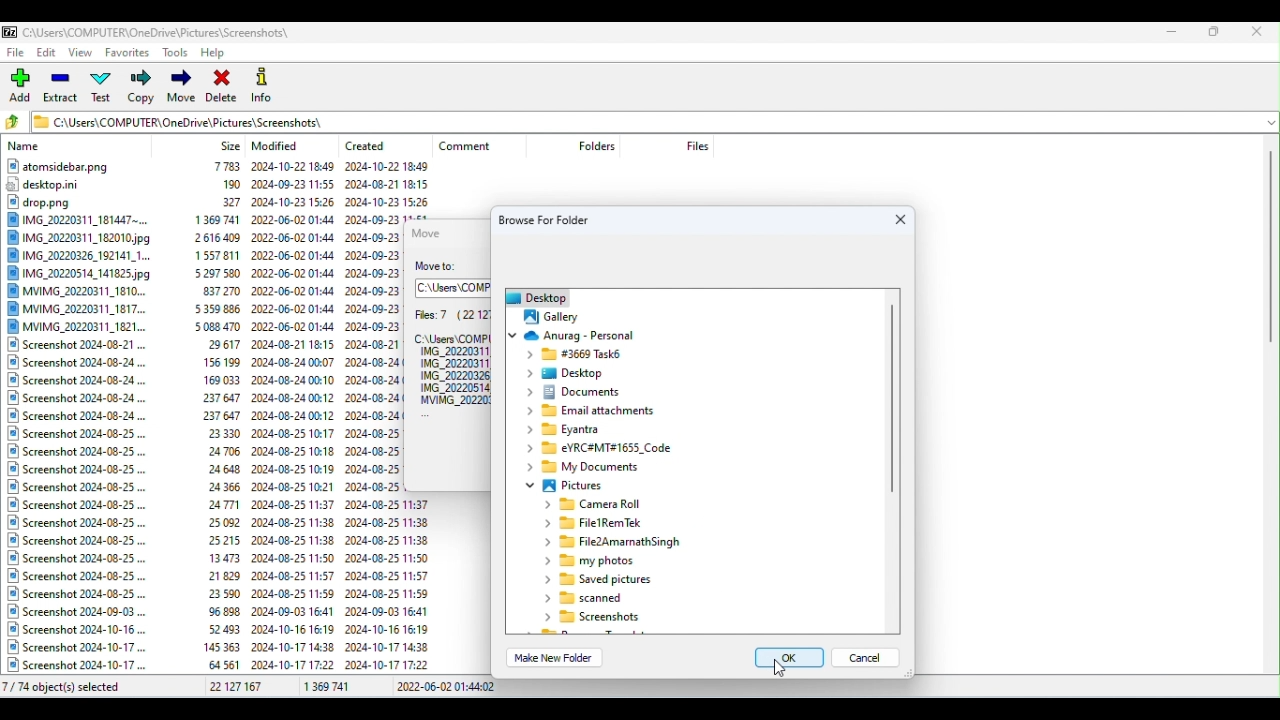 The width and height of the screenshot is (1280, 720). Describe the element at coordinates (140, 88) in the screenshot. I see `Copy` at that location.